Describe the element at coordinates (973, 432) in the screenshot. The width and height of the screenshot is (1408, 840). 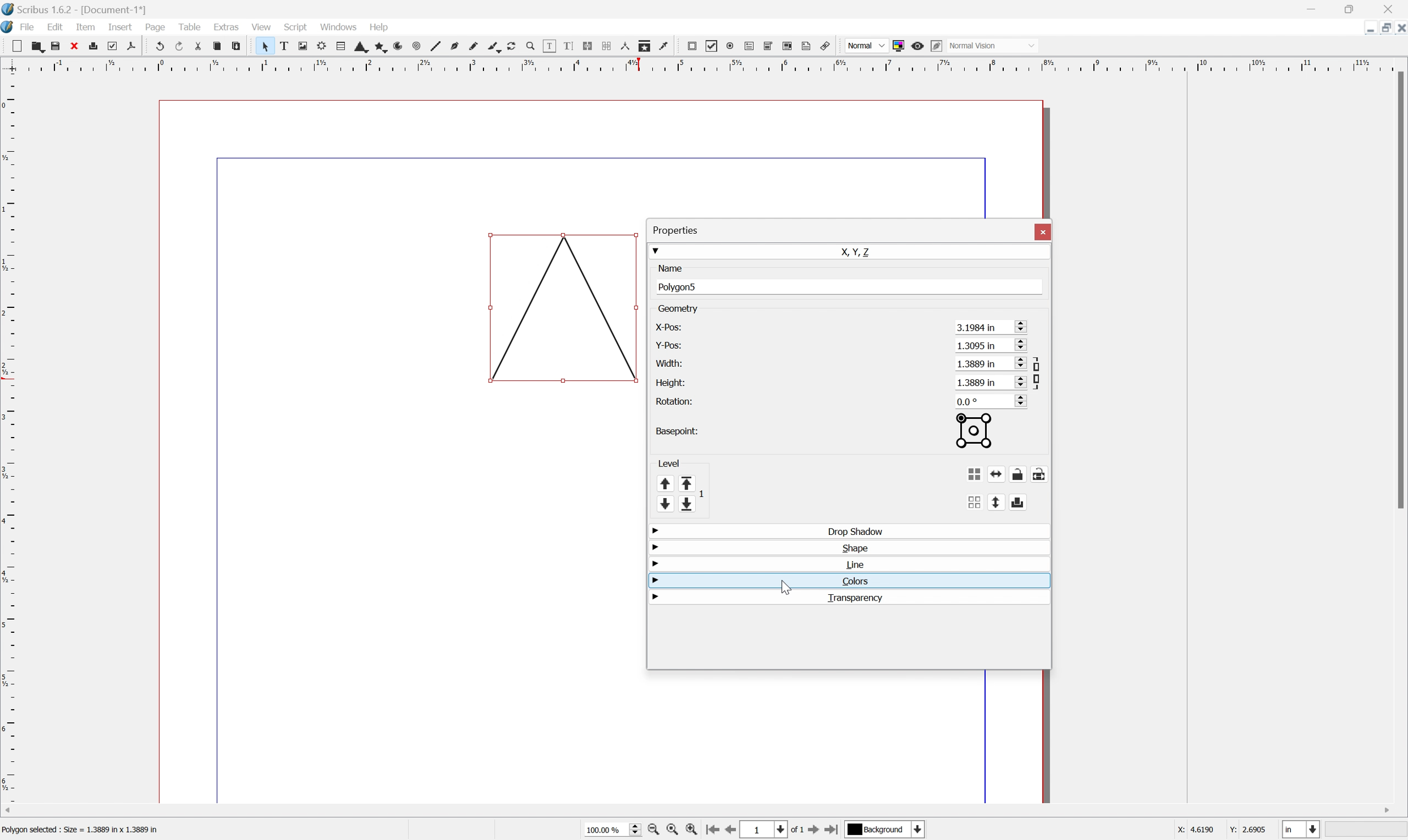
I see `Basepoint` at that location.